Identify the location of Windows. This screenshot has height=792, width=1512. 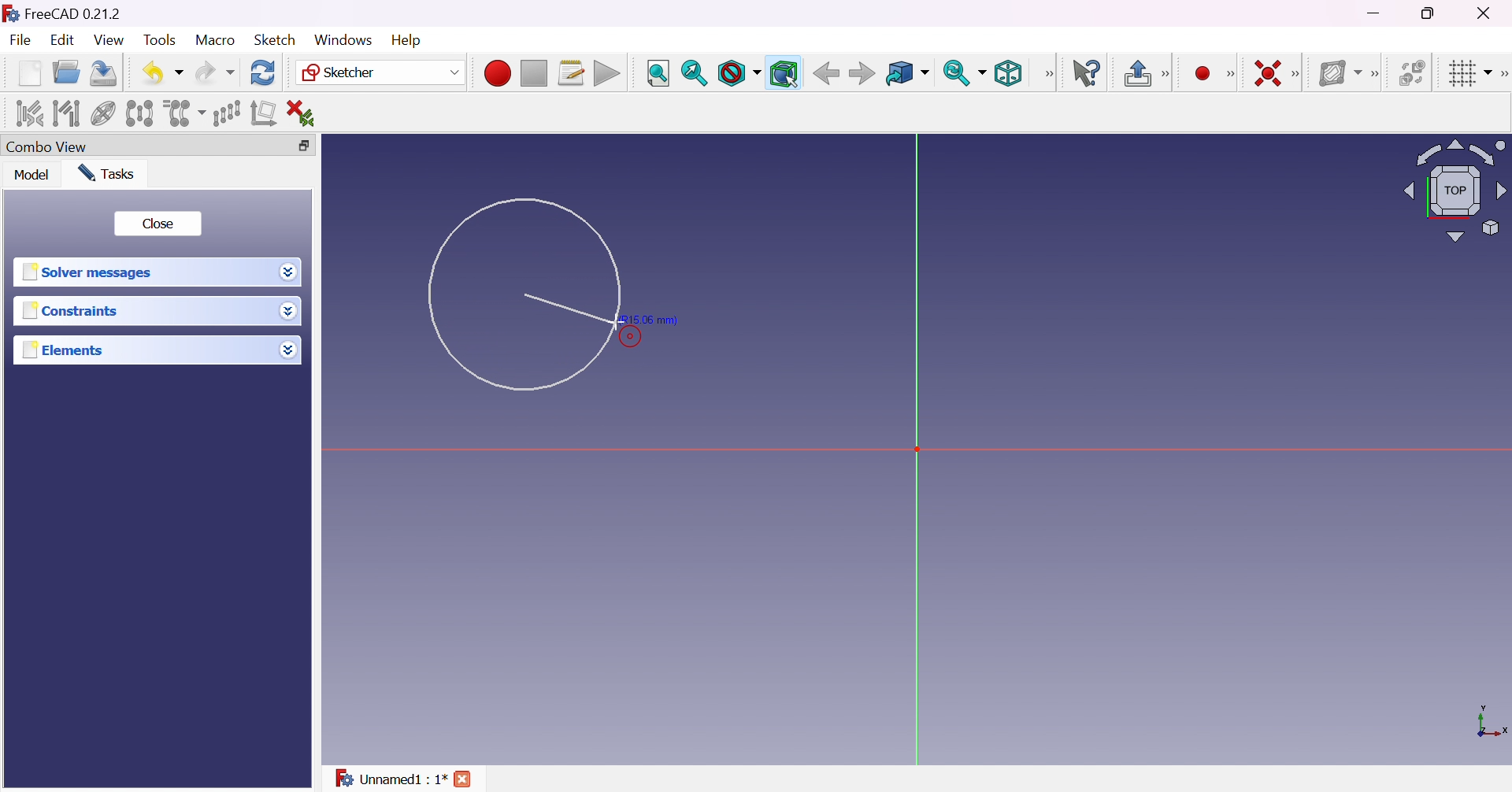
(342, 39).